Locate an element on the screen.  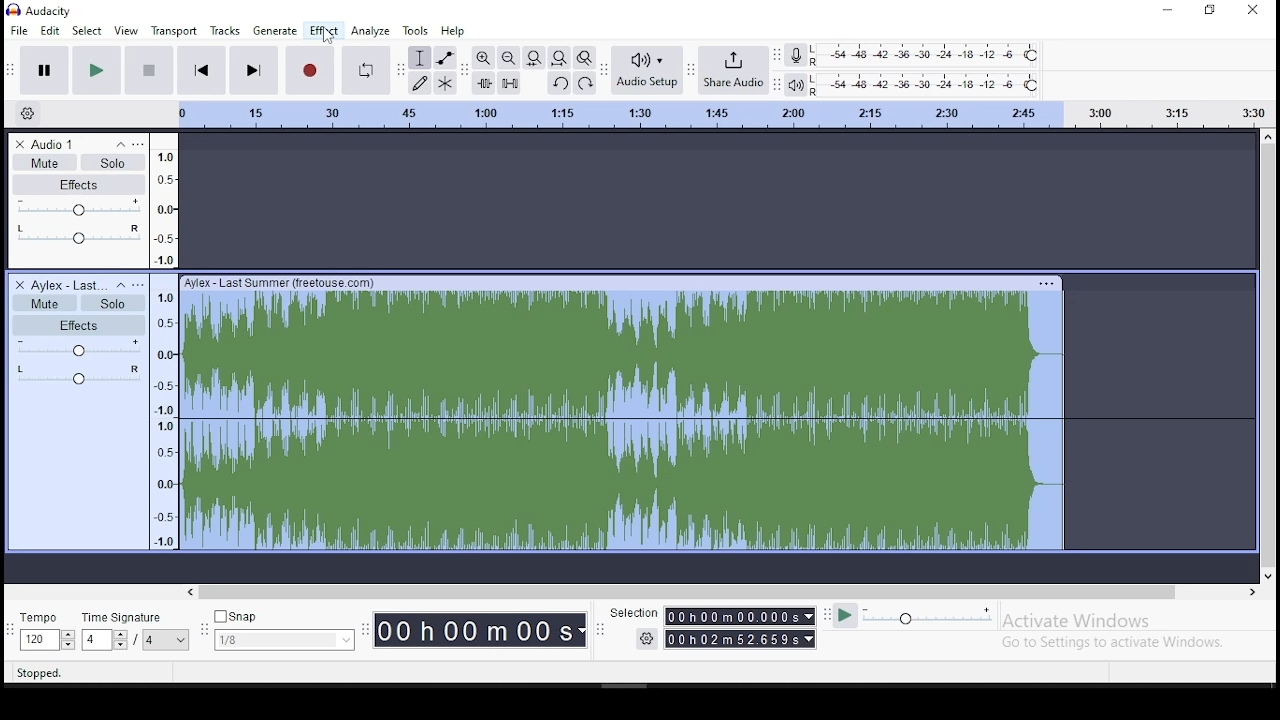
mute/unmute is located at coordinates (46, 302).